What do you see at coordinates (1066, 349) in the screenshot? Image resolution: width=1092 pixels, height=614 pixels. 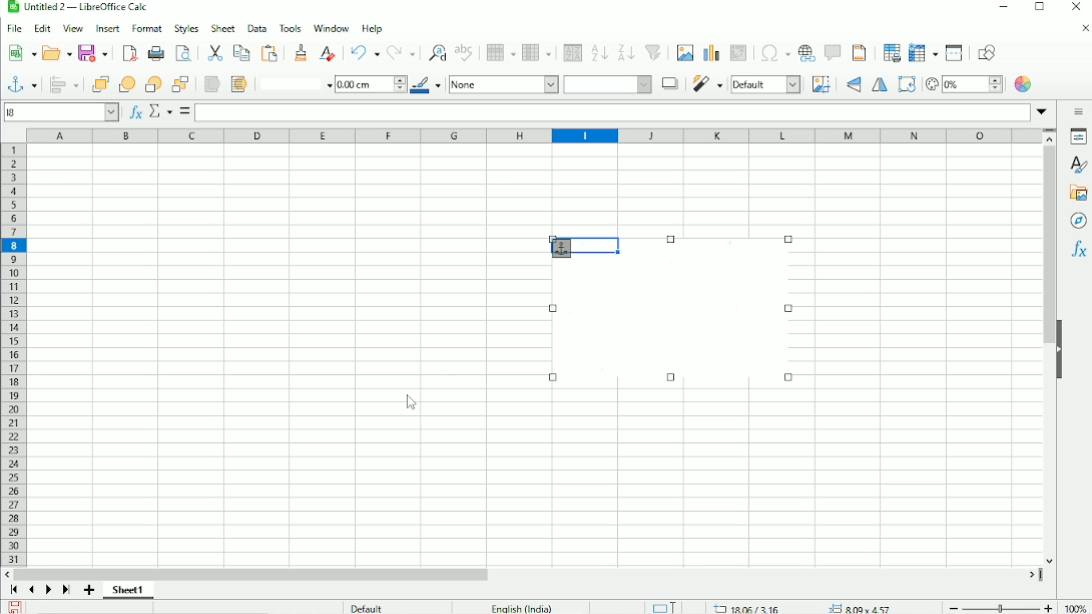 I see `Hide` at bounding box center [1066, 349].